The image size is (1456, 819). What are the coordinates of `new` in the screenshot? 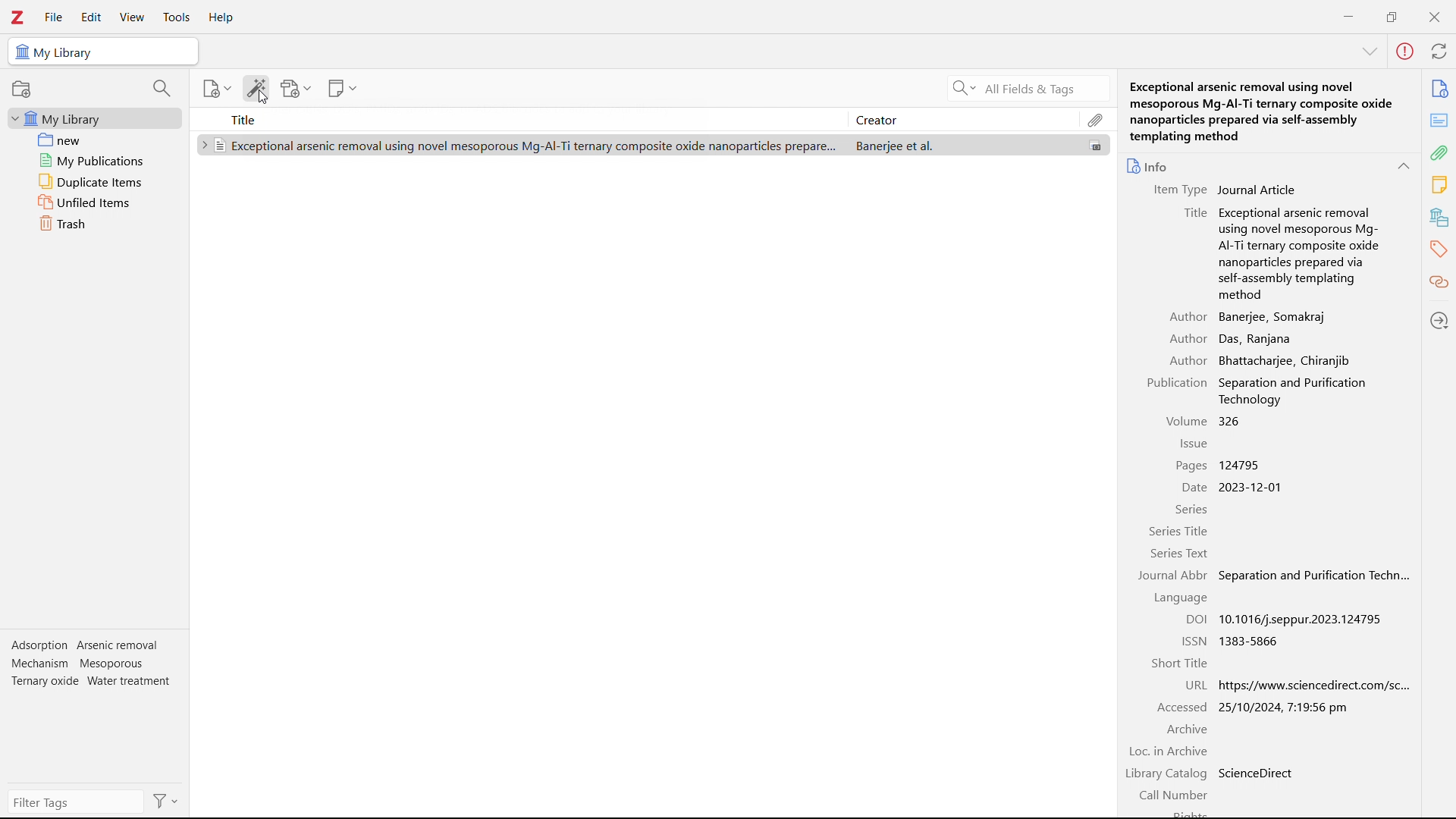 It's located at (96, 140).